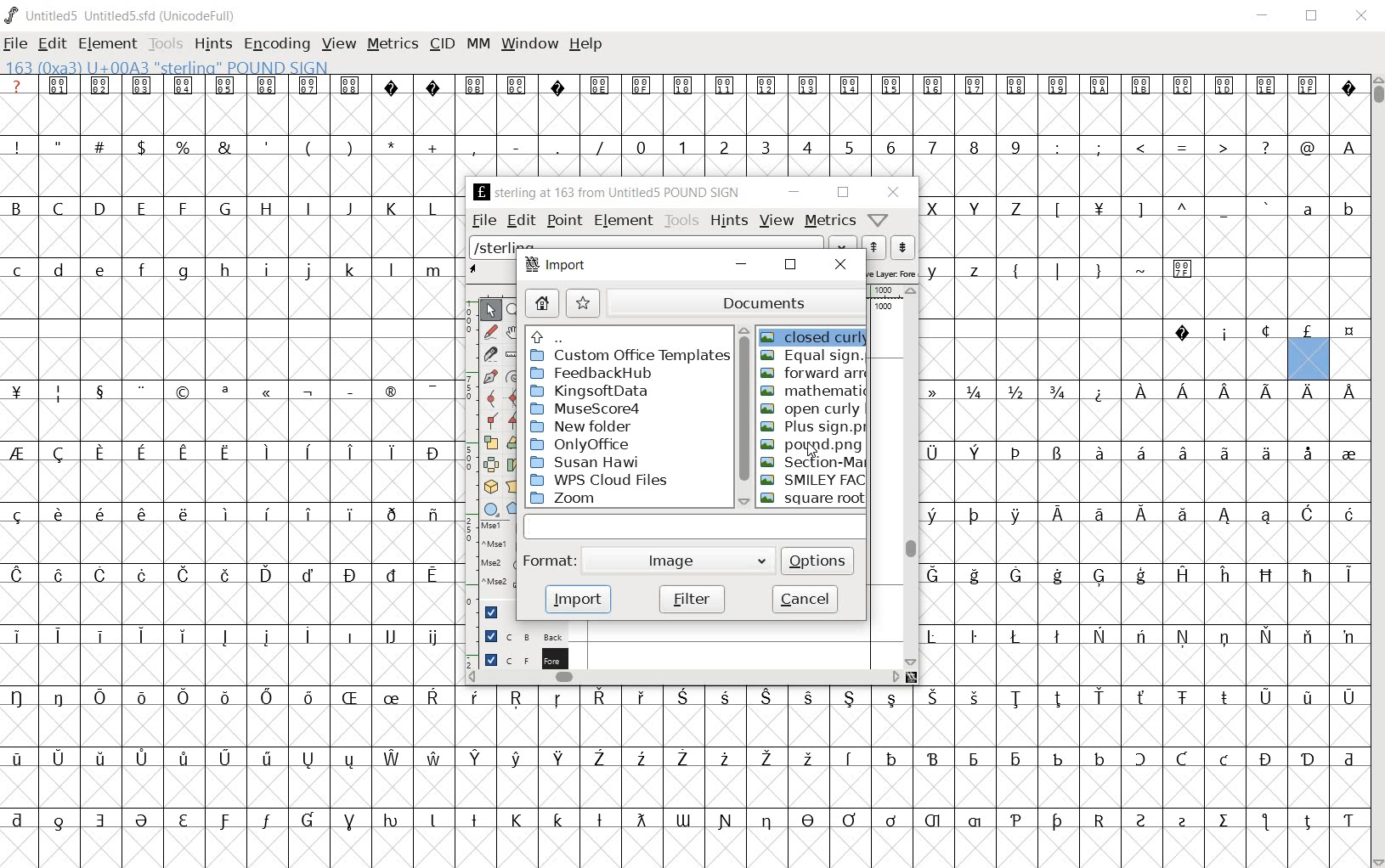 Image resolution: width=1385 pixels, height=868 pixels. What do you see at coordinates (349, 269) in the screenshot?
I see `k` at bounding box center [349, 269].